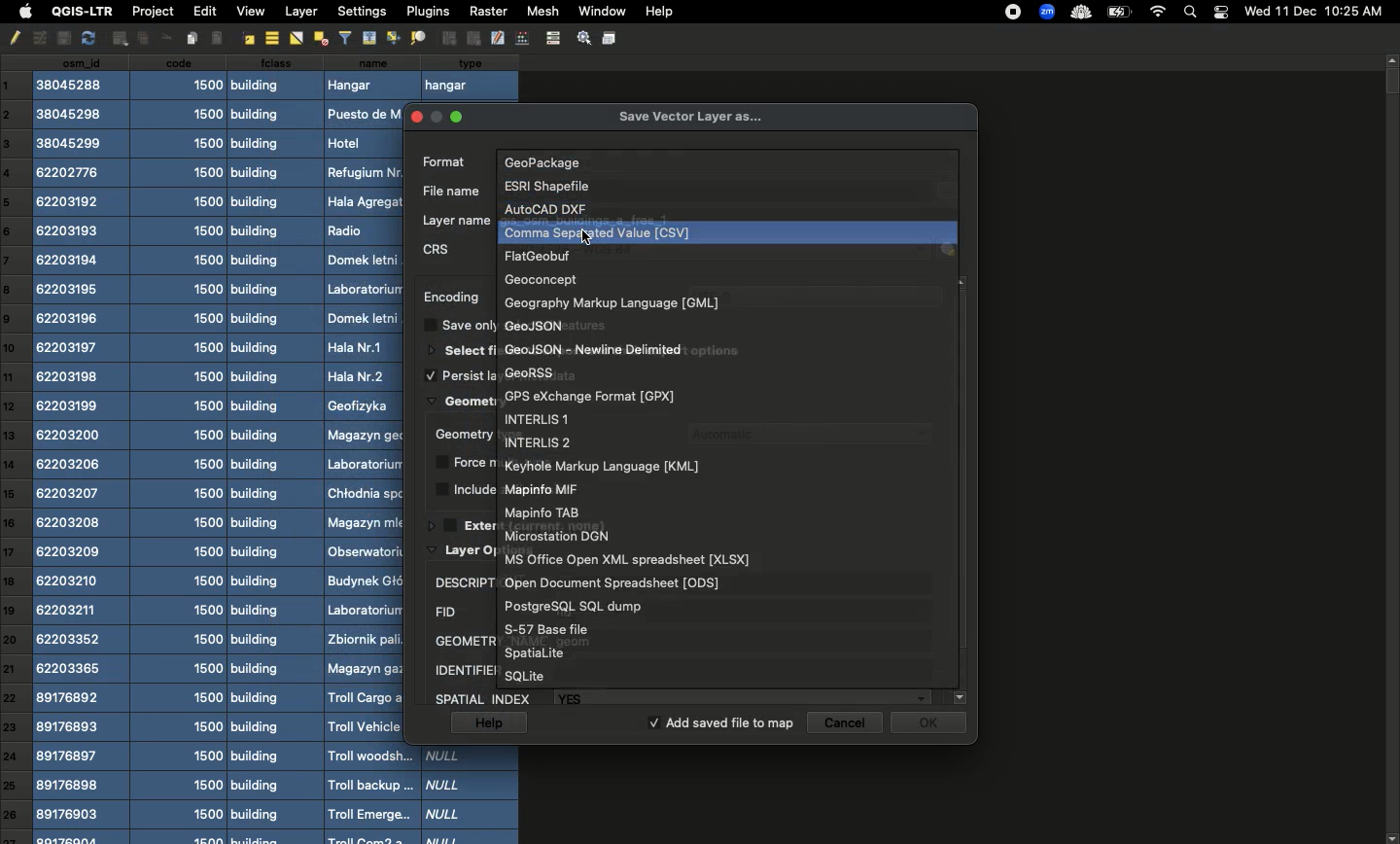 The image size is (1400, 844). Describe the element at coordinates (369, 37) in the screenshot. I see `Align Top` at that location.